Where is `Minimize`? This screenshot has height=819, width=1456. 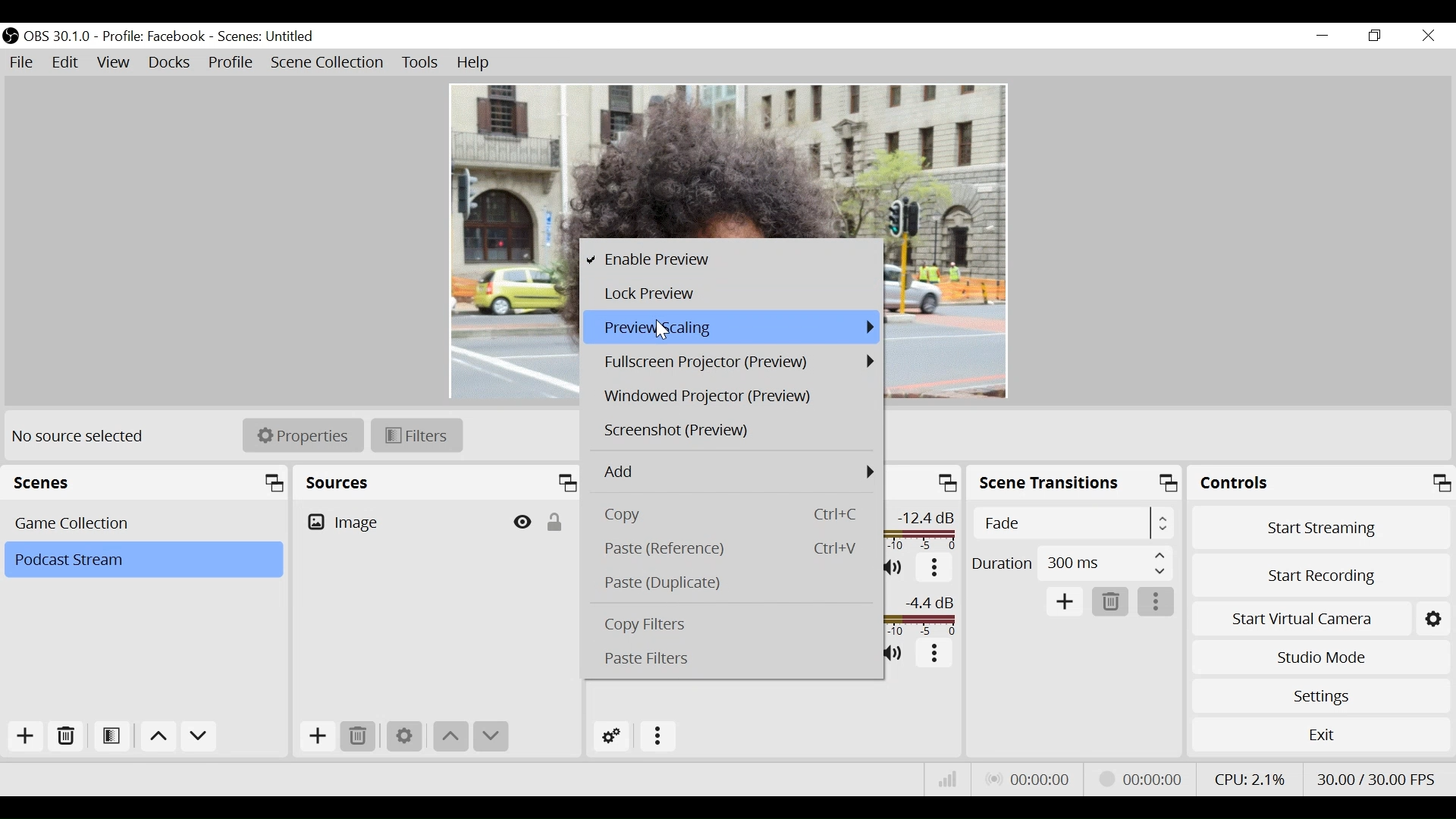 Minimize is located at coordinates (1325, 36).